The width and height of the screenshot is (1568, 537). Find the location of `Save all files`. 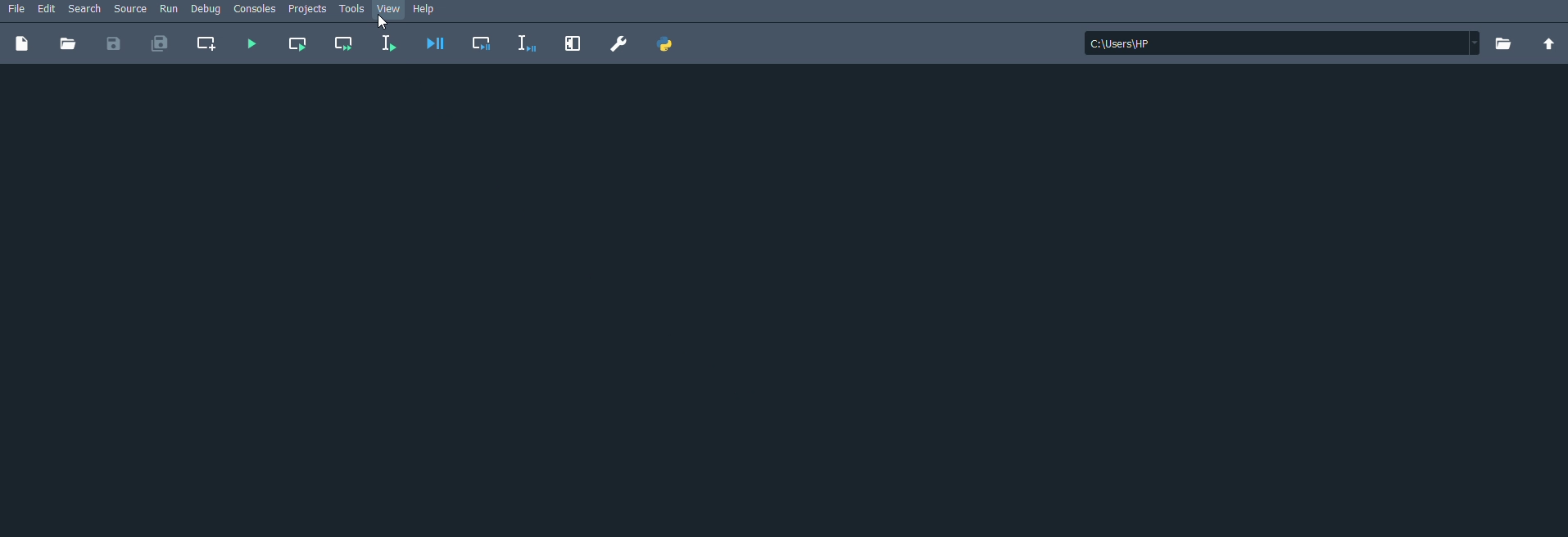

Save all files is located at coordinates (161, 43).